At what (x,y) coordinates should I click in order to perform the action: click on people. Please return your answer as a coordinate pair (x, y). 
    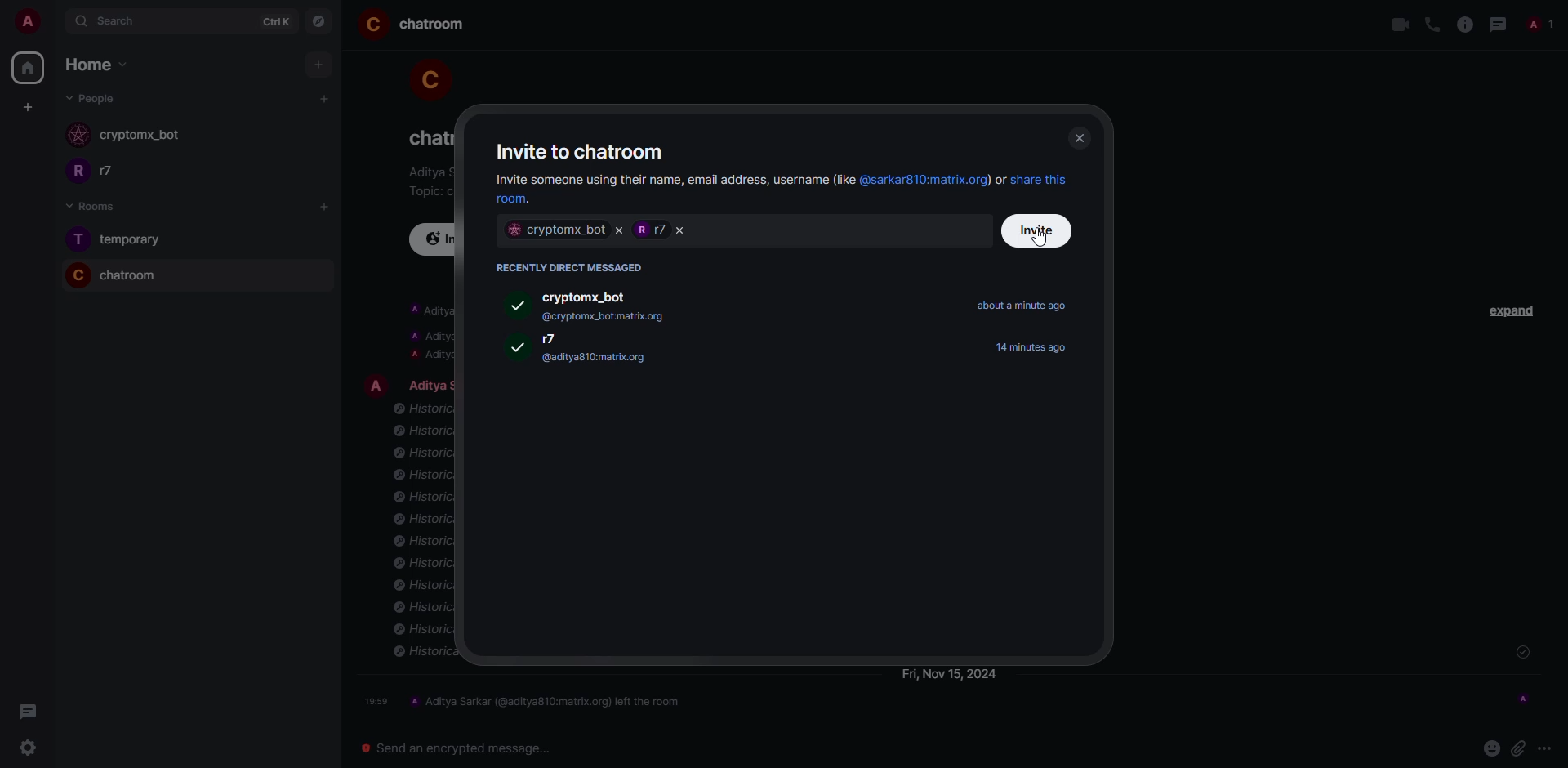
    Looking at the image, I should click on (649, 229).